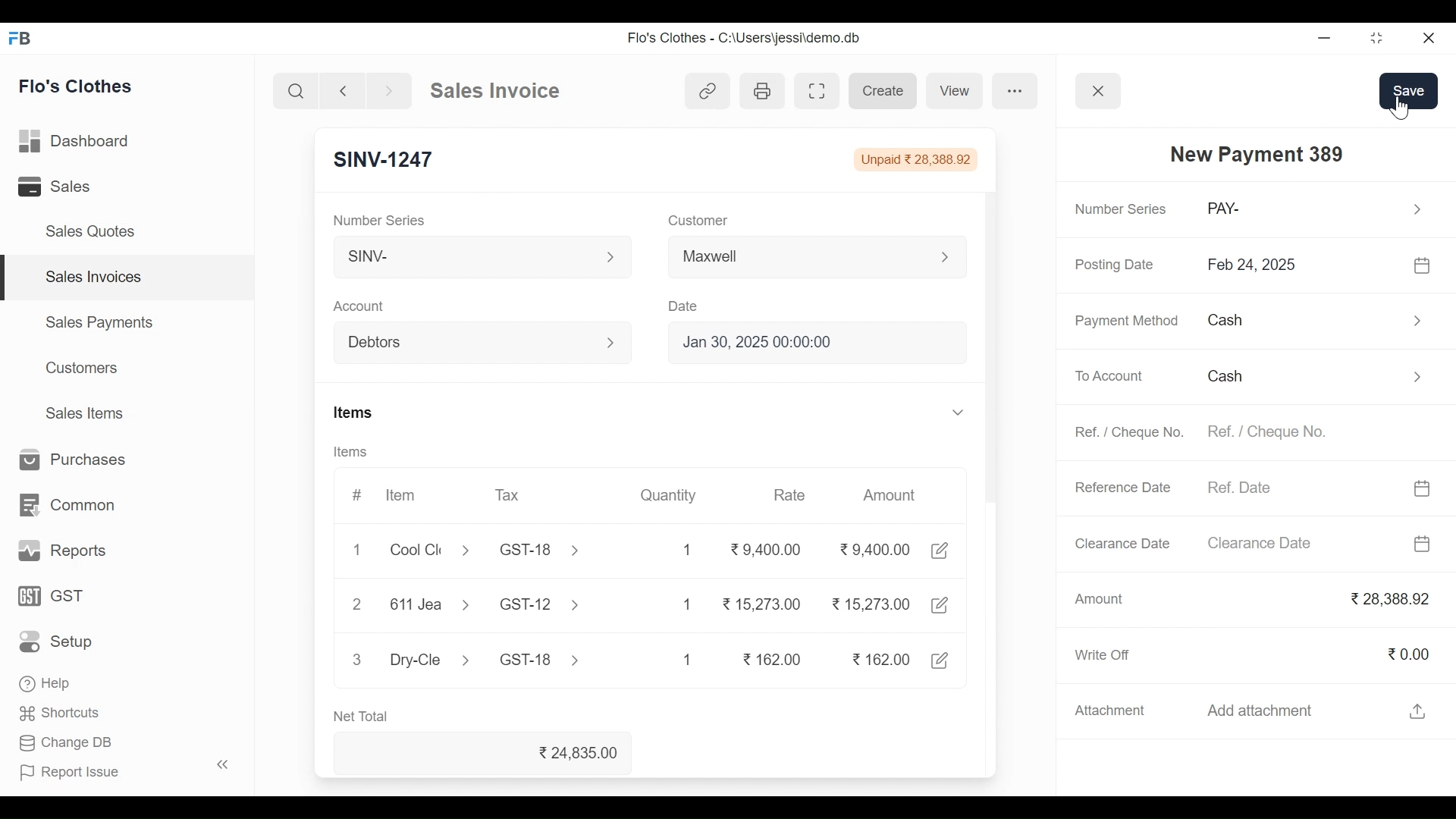 This screenshot has width=1456, height=819. I want to click on 24,835.00, so click(576, 753).